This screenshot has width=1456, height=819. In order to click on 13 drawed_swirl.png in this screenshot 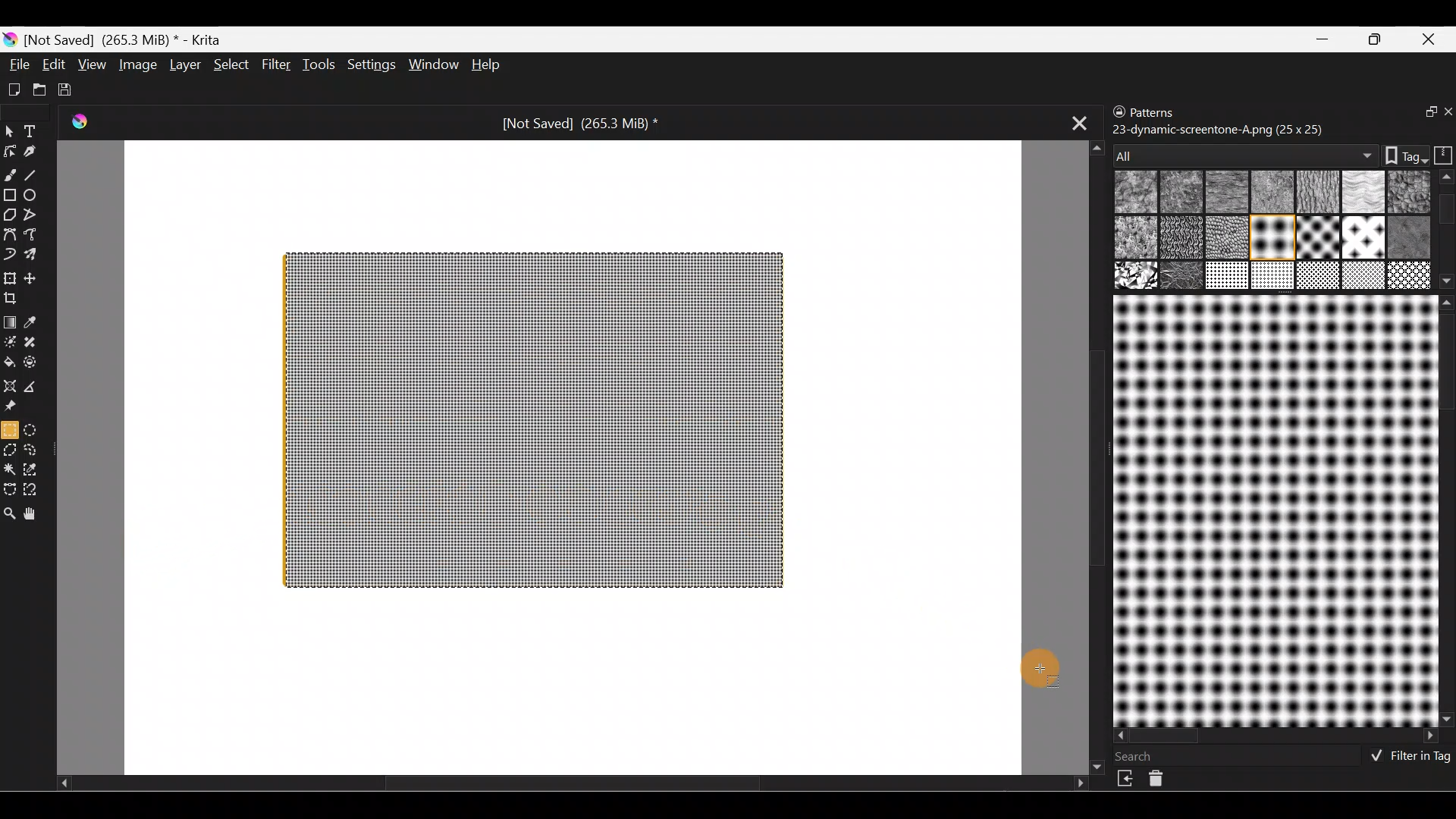, I will do `click(1412, 235)`.